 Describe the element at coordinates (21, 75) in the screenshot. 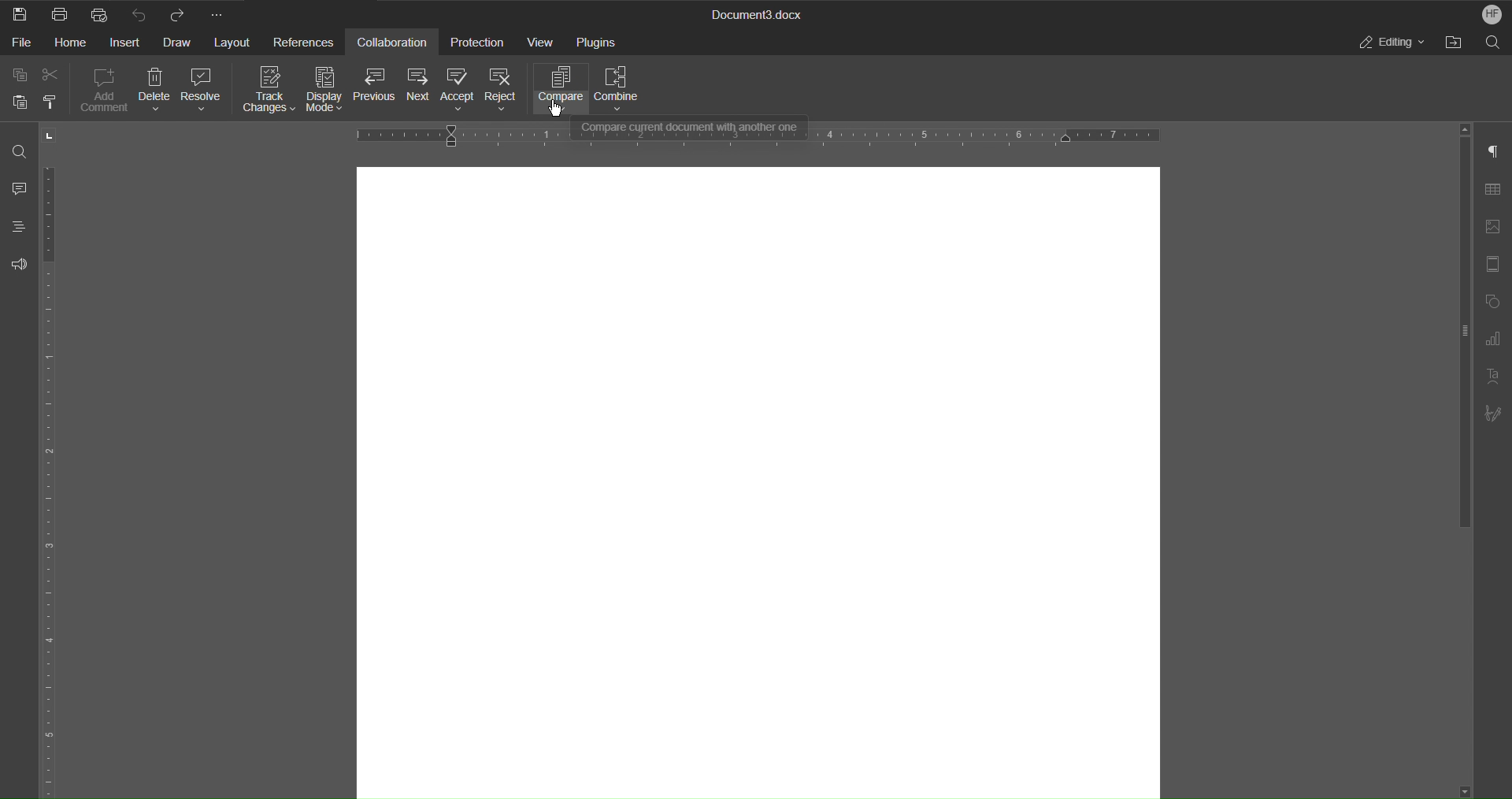

I see `Copy` at that location.